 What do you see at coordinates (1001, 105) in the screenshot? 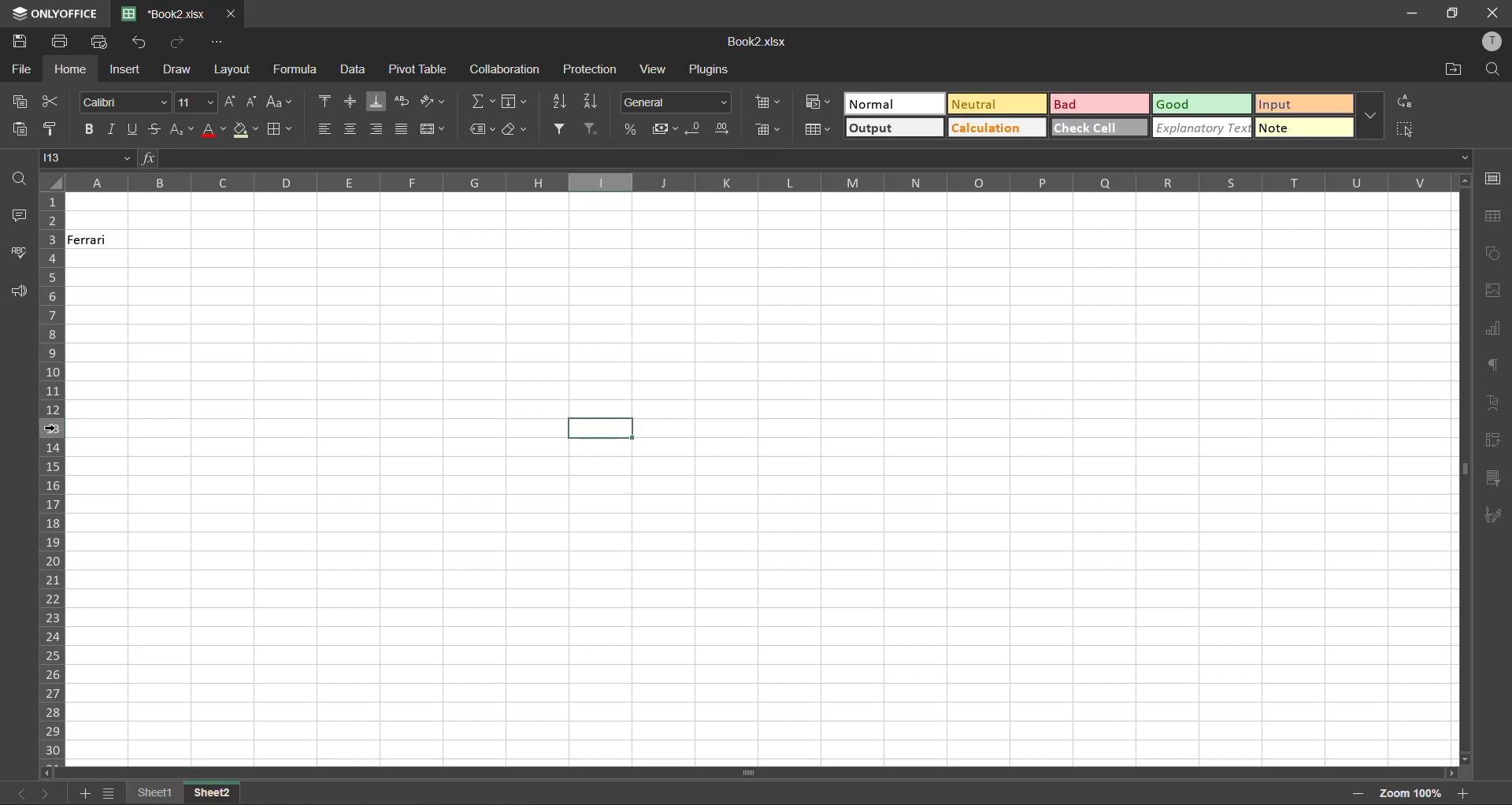
I see `neutral` at bounding box center [1001, 105].